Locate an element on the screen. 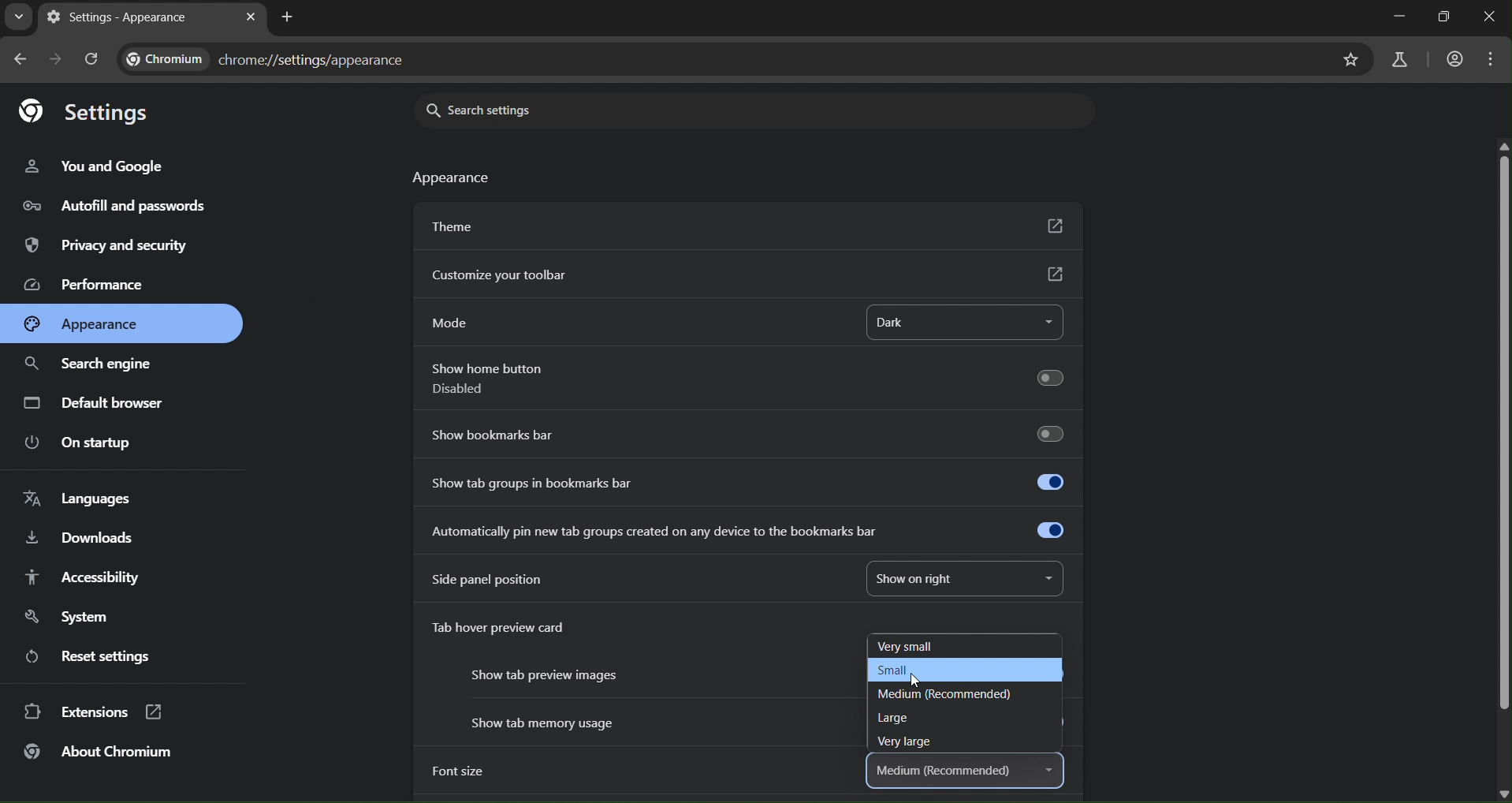 This screenshot has height=803, width=1512. automatically pin new tab created on any device to the bookmarks bar is located at coordinates (747, 532).